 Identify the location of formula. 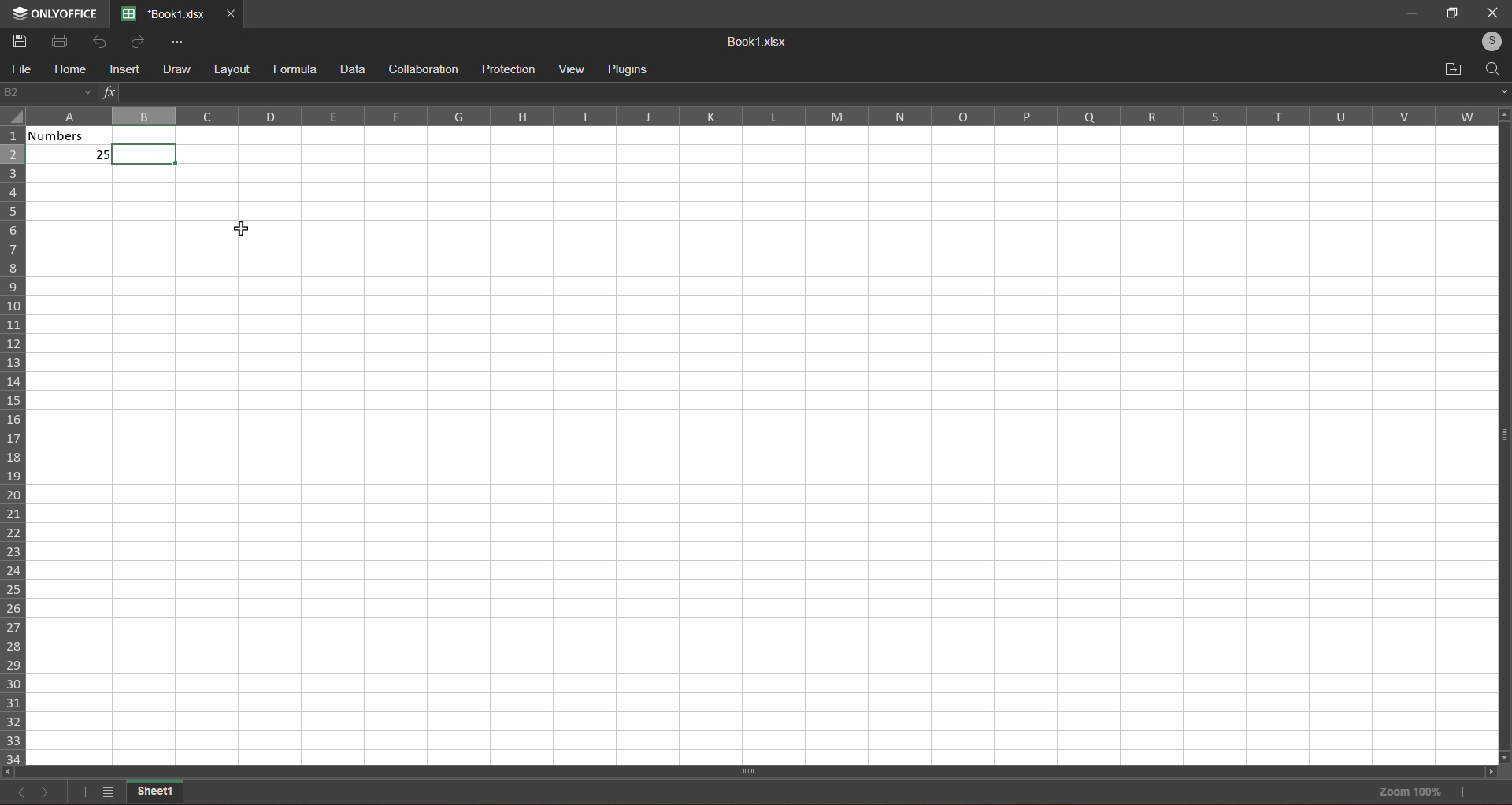
(293, 69).